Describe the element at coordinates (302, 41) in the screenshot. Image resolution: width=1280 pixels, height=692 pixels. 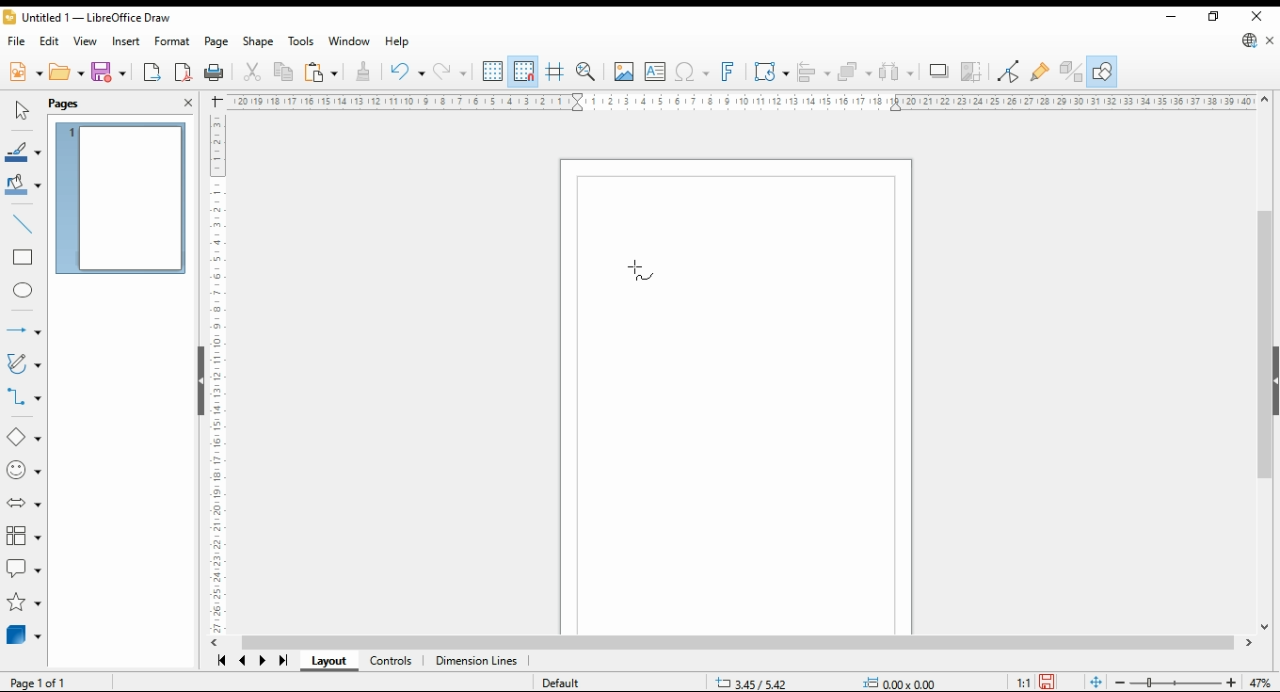
I see `tools` at that location.